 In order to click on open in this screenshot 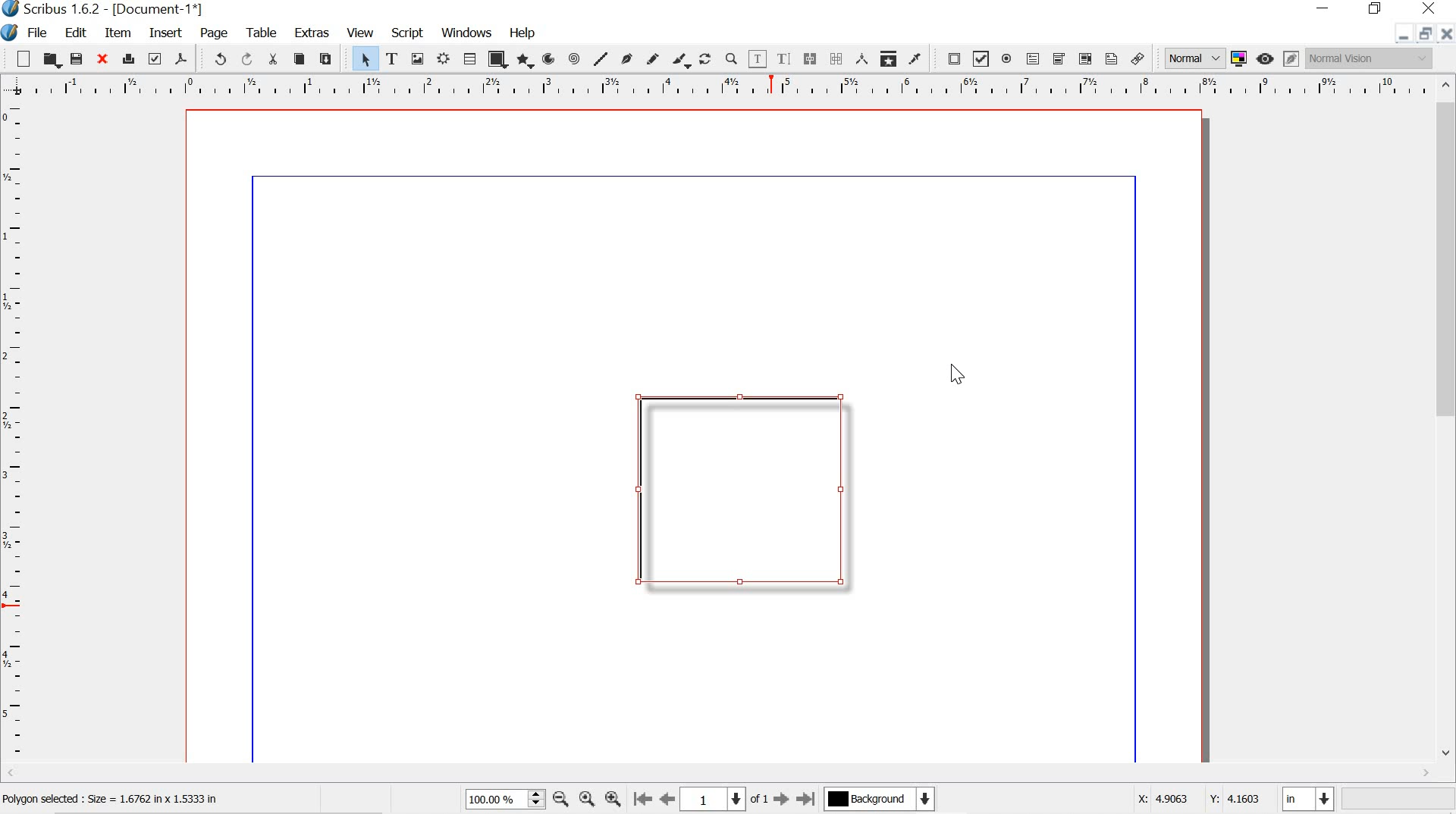, I will do `click(52, 60)`.